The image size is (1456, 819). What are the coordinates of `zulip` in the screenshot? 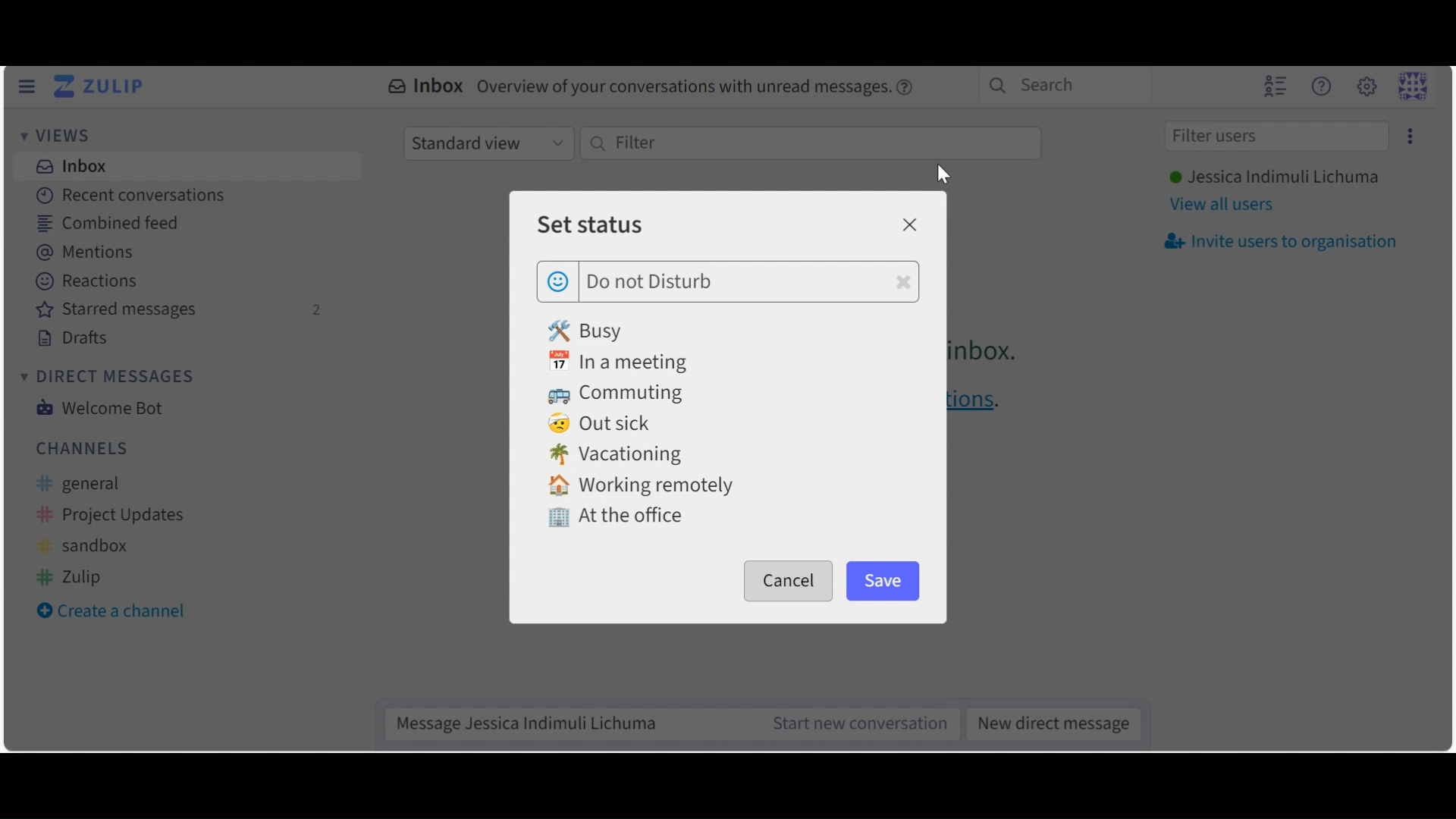 It's located at (71, 576).